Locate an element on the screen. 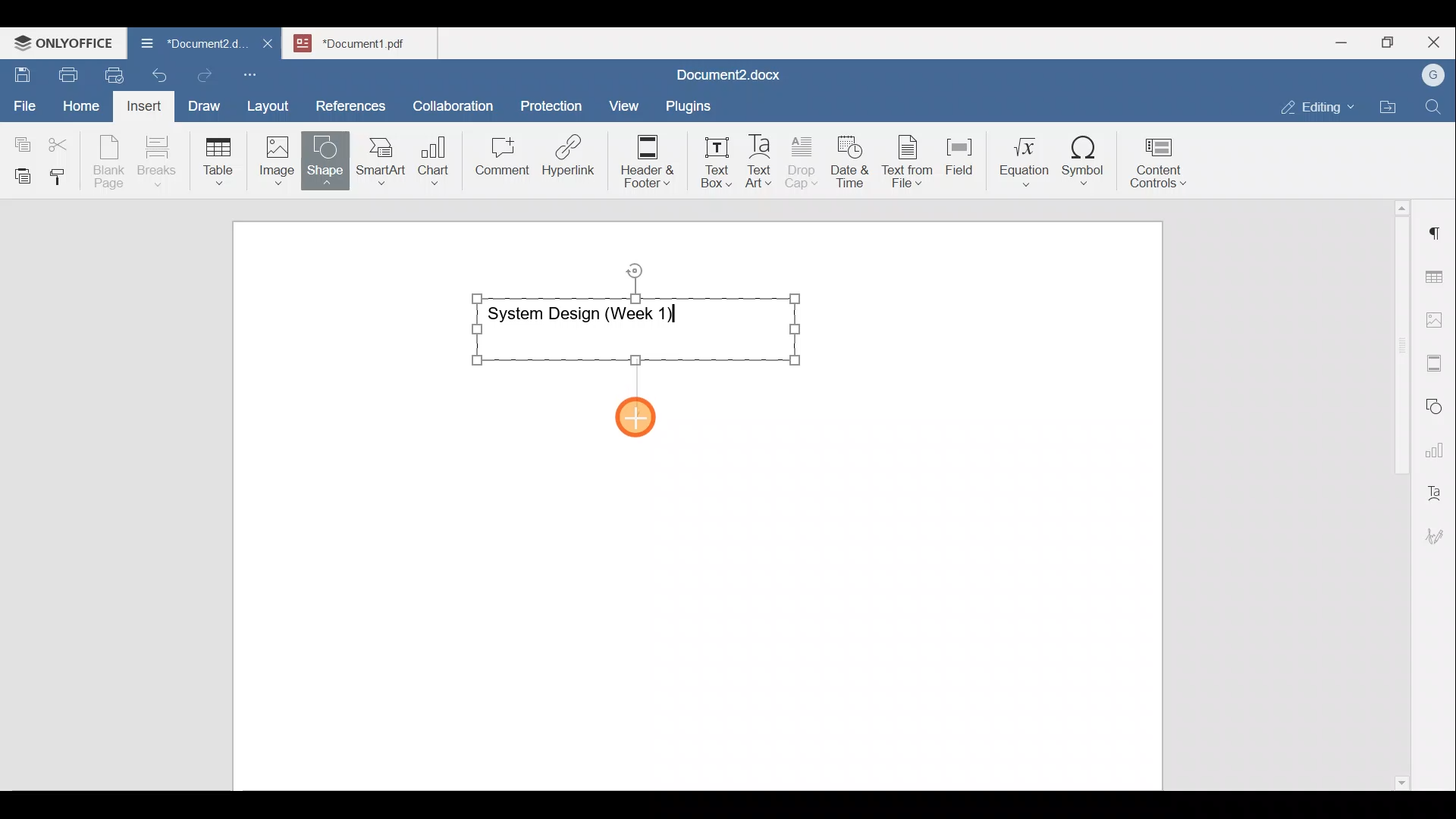 This screenshot has height=819, width=1456. SmartArt is located at coordinates (378, 158).